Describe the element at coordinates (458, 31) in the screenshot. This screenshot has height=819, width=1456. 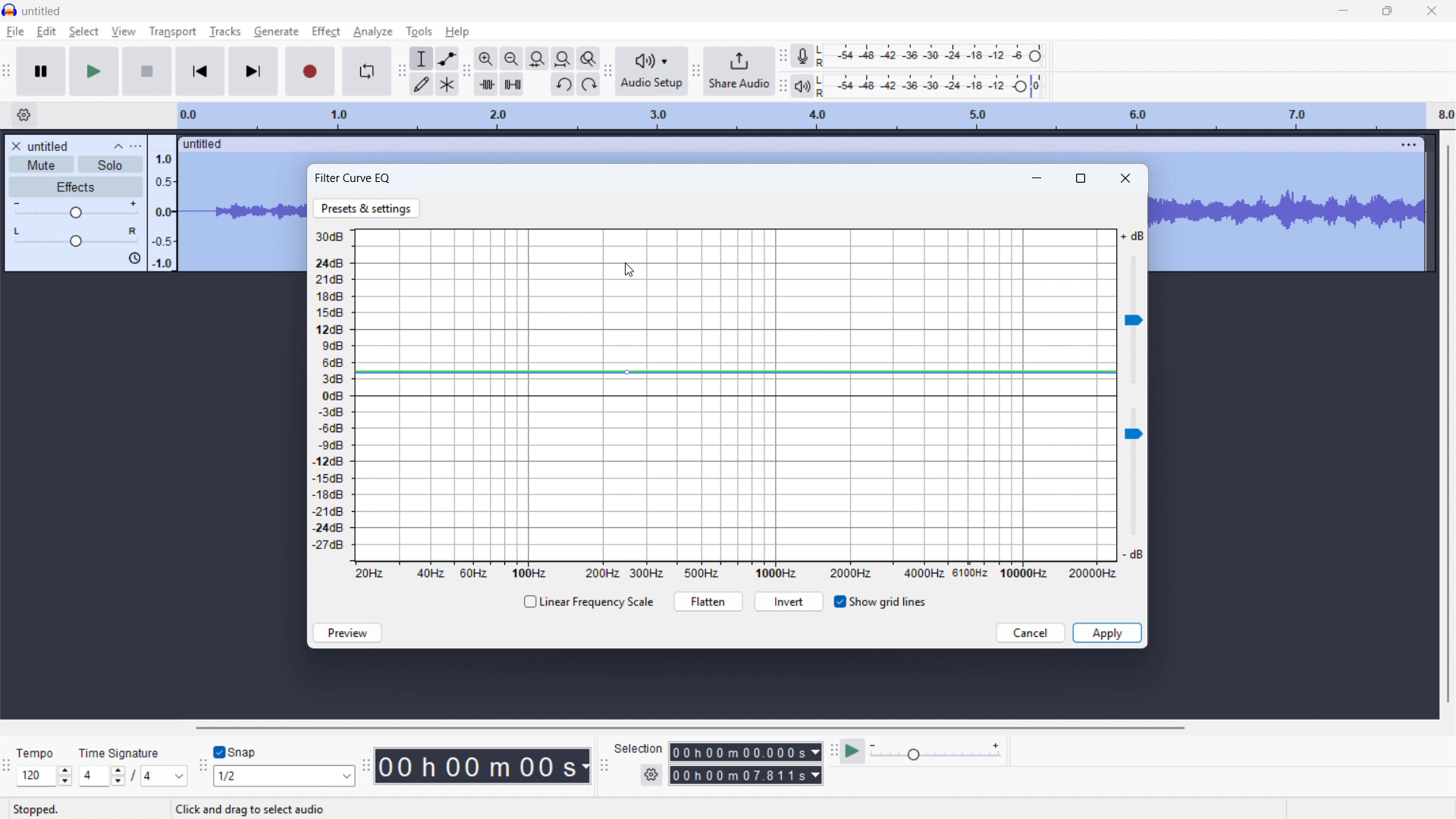
I see `help` at that location.